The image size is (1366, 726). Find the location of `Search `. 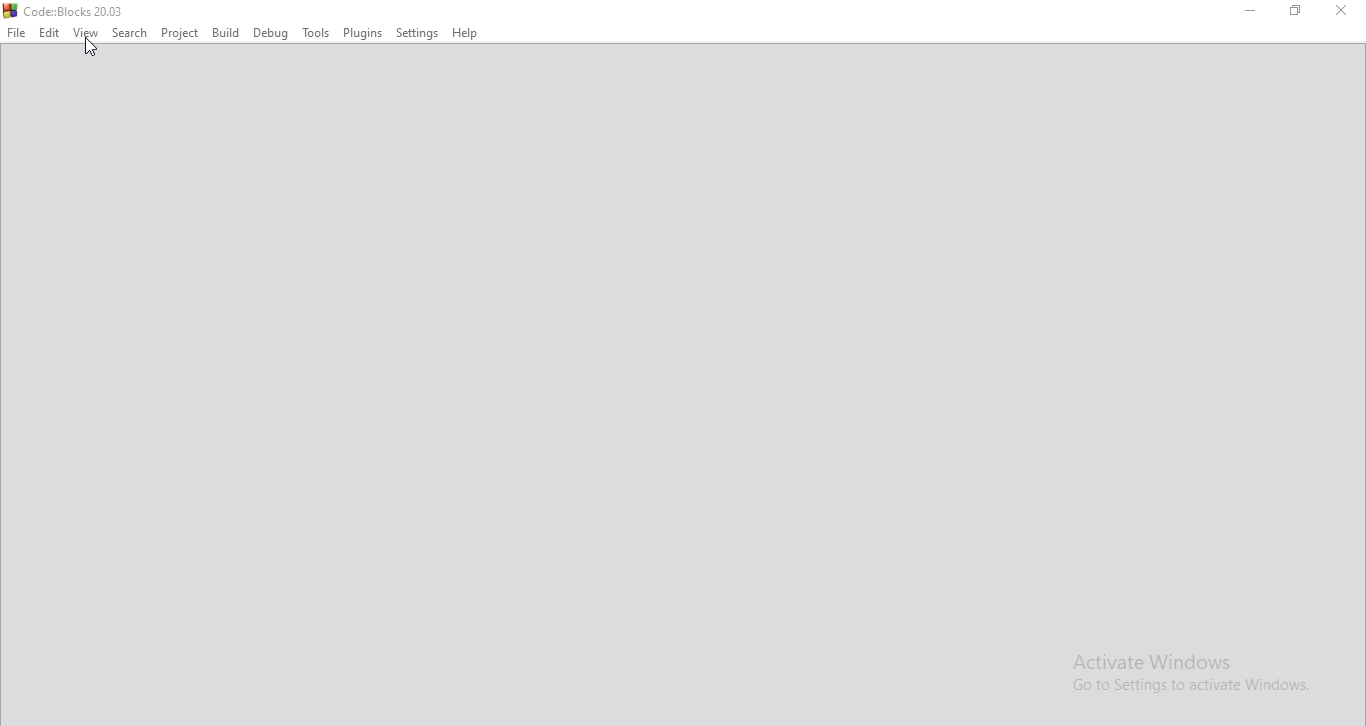

Search  is located at coordinates (129, 33).